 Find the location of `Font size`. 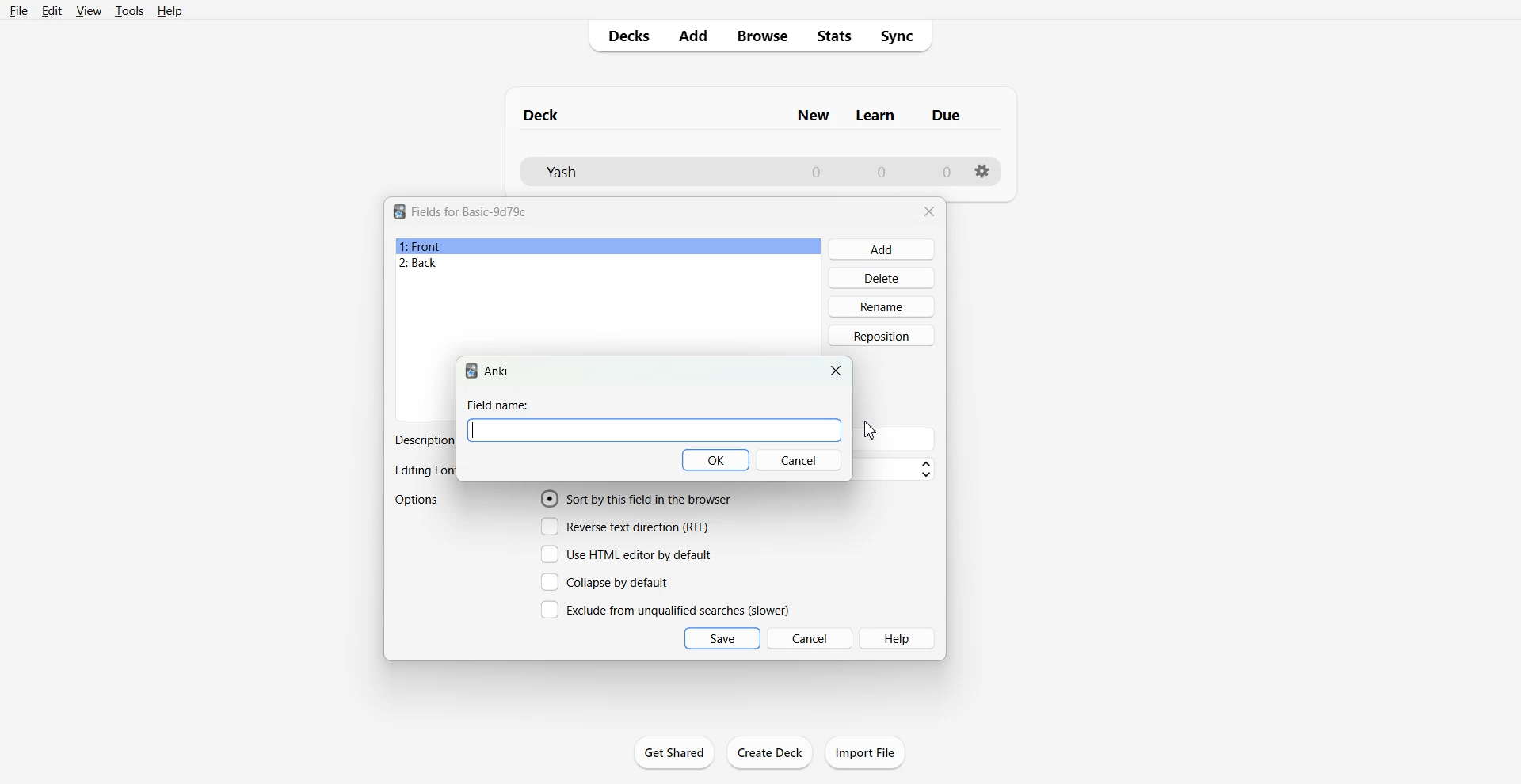

Font size is located at coordinates (898, 470).